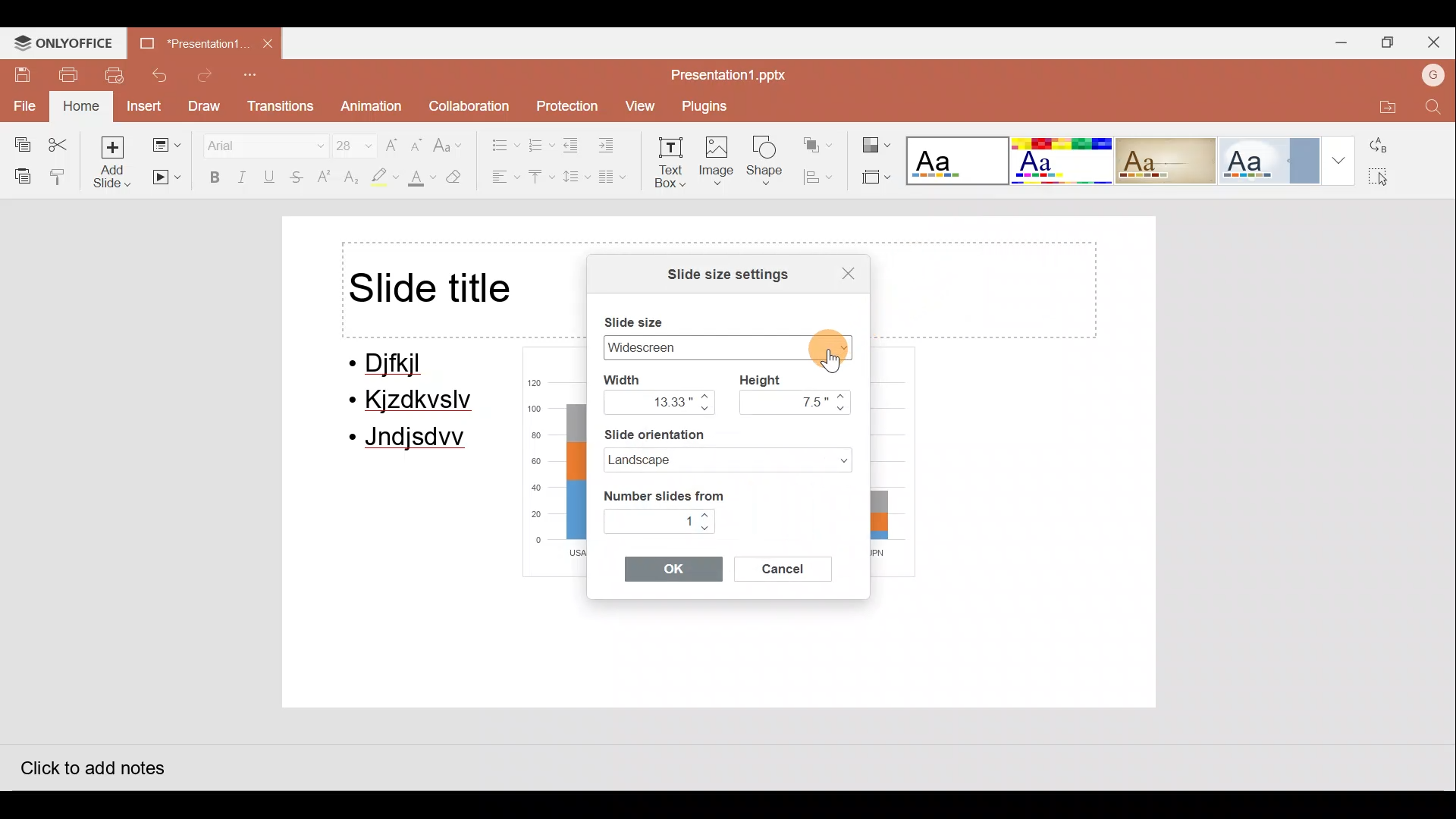 The width and height of the screenshot is (1456, 819). I want to click on Close, so click(841, 270).